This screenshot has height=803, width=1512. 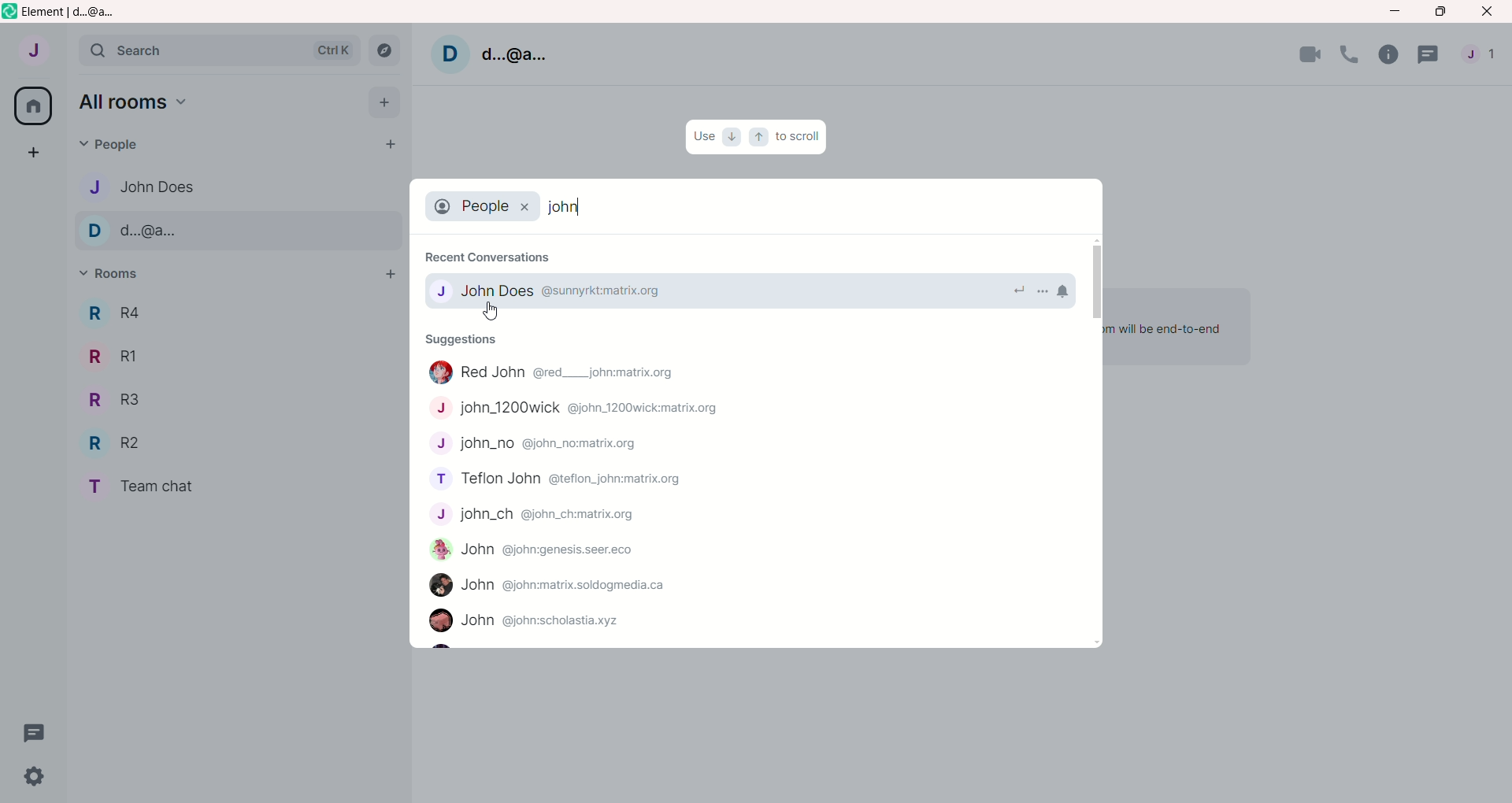 What do you see at coordinates (1353, 55) in the screenshot?
I see `voice call` at bounding box center [1353, 55].